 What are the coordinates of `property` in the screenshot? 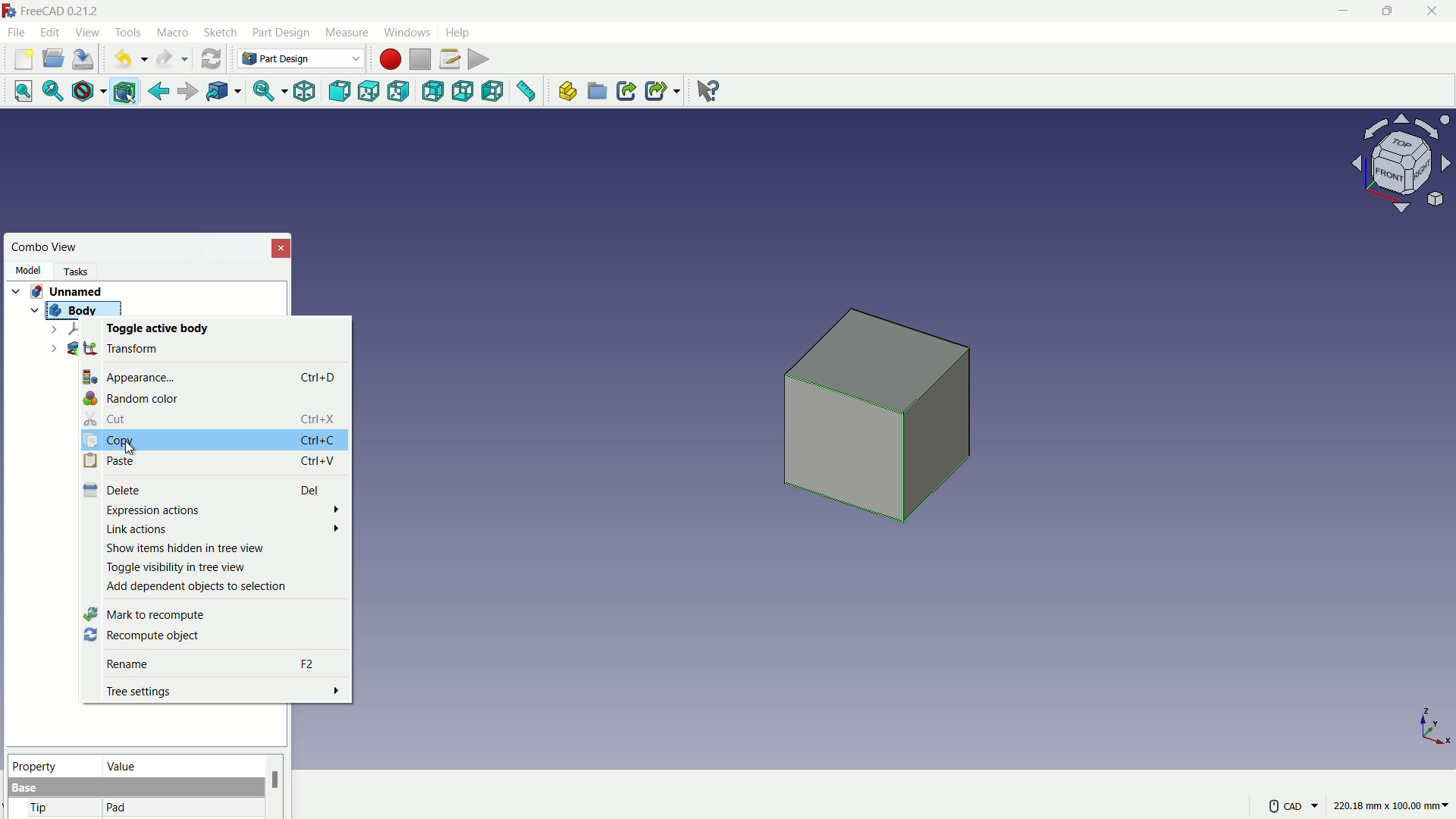 It's located at (52, 764).